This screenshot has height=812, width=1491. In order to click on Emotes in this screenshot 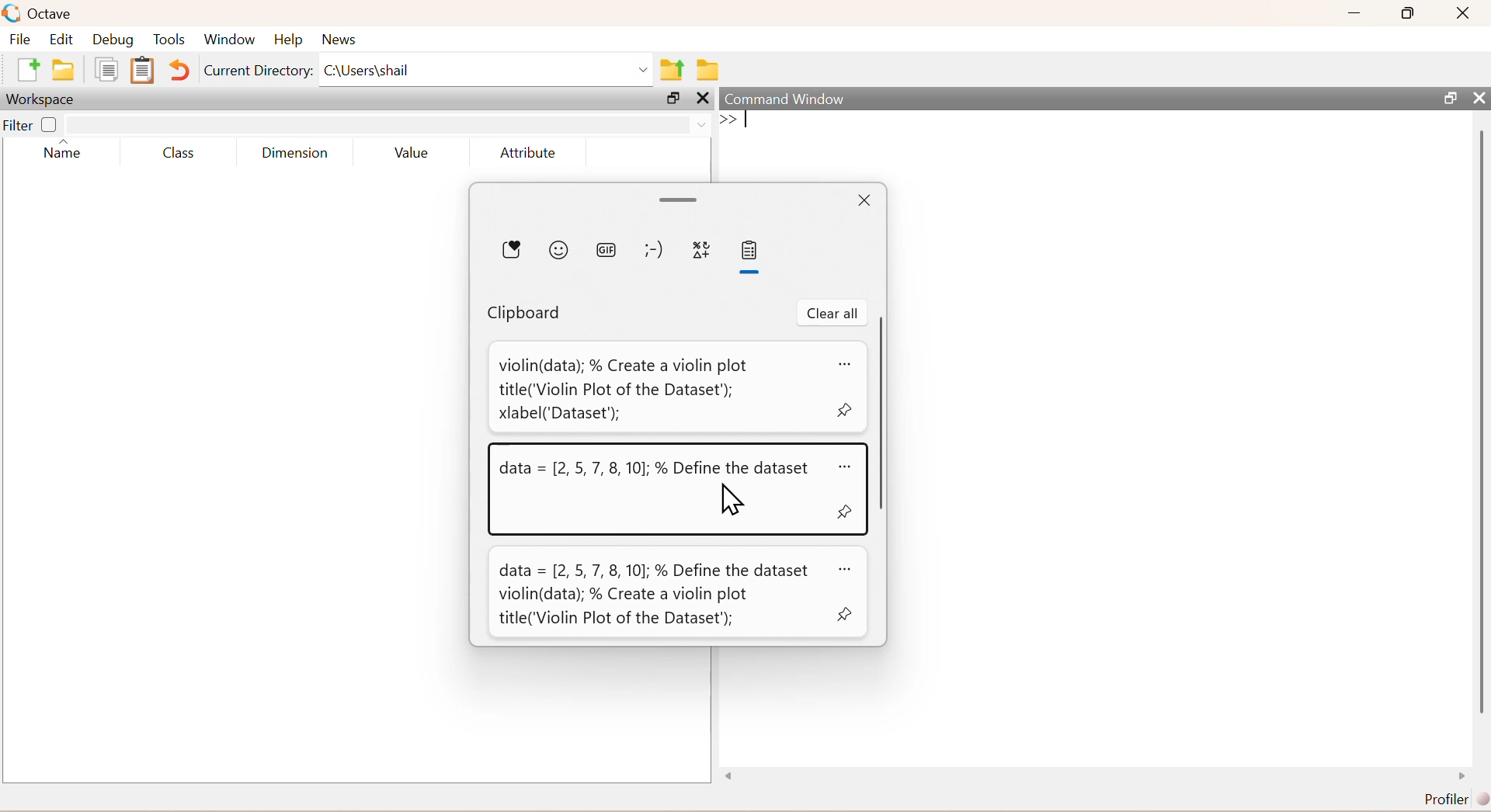, I will do `click(654, 251)`.